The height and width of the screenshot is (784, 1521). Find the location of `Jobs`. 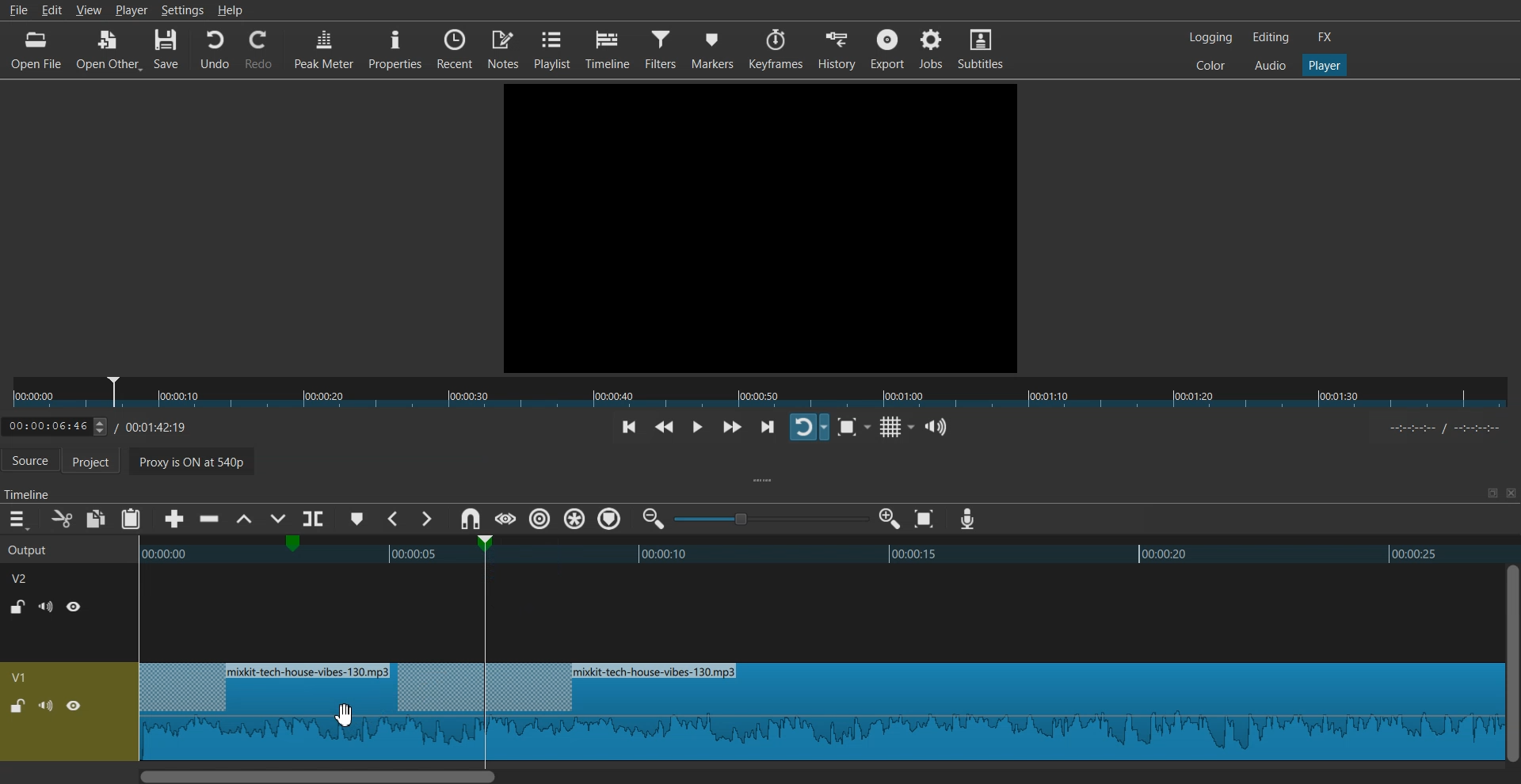

Jobs is located at coordinates (930, 48).